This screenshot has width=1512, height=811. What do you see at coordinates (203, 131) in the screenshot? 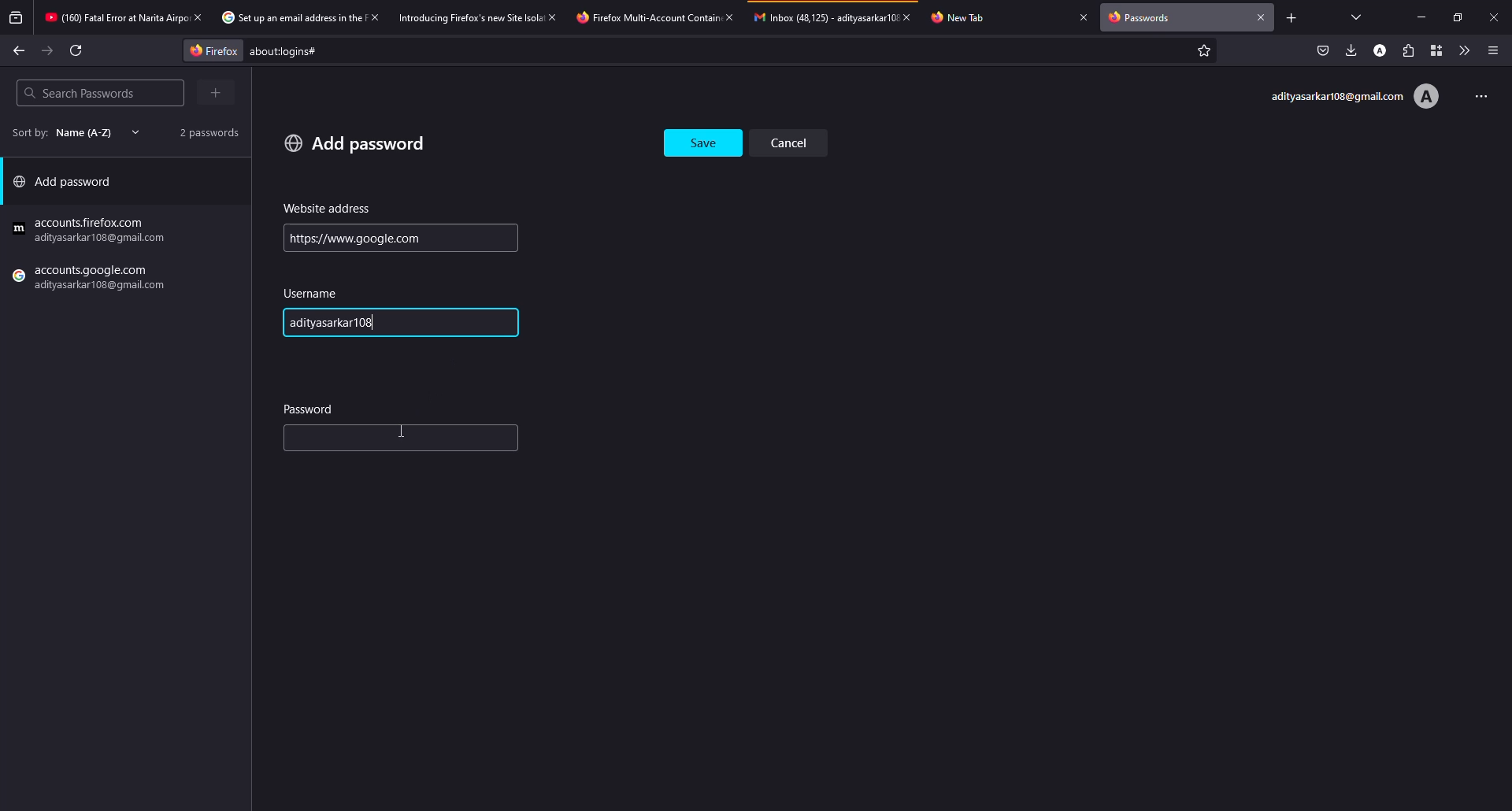
I see `2 passwords` at bounding box center [203, 131].